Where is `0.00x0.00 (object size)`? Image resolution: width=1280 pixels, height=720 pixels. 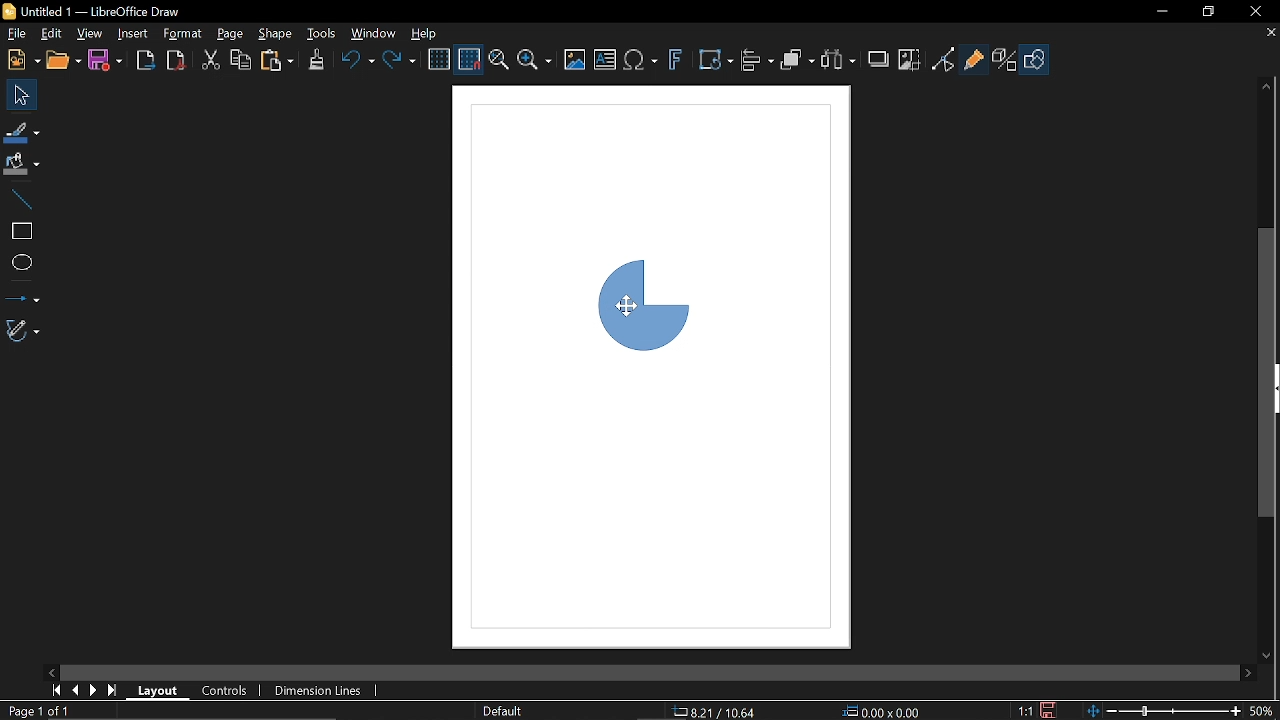 0.00x0.00 (object size) is located at coordinates (880, 712).